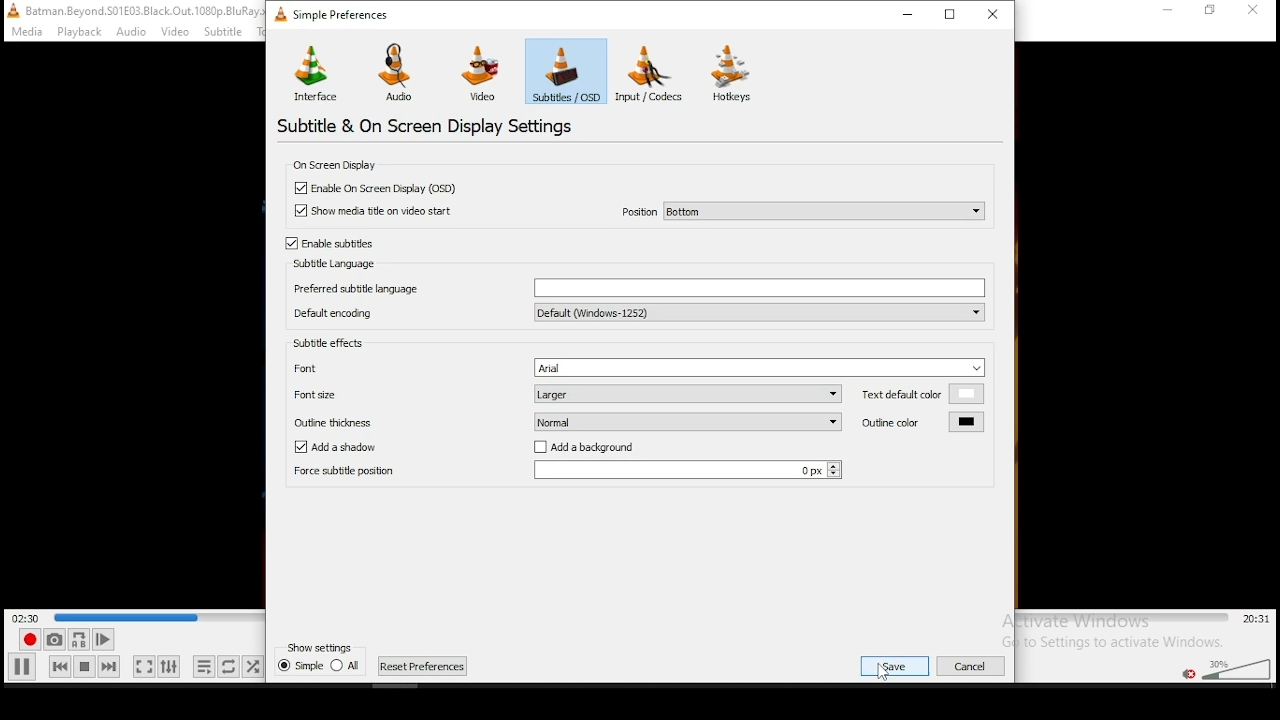 This screenshot has width=1280, height=720. What do you see at coordinates (84, 666) in the screenshot?
I see `stop` at bounding box center [84, 666].